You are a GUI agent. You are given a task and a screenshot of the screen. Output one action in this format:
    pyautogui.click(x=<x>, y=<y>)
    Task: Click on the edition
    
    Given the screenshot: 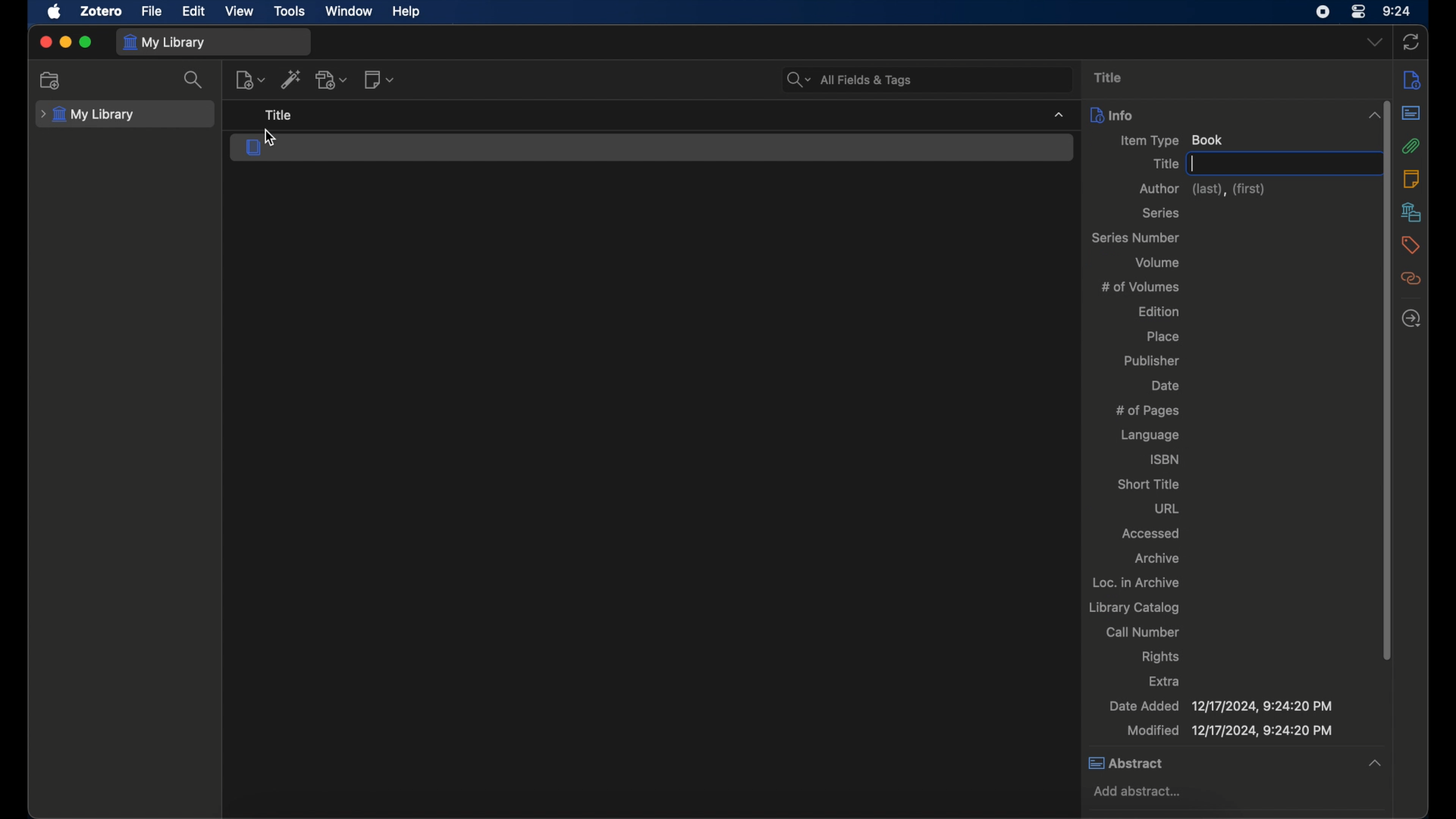 What is the action you would take?
    pyautogui.click(x=1159, y=312)
    